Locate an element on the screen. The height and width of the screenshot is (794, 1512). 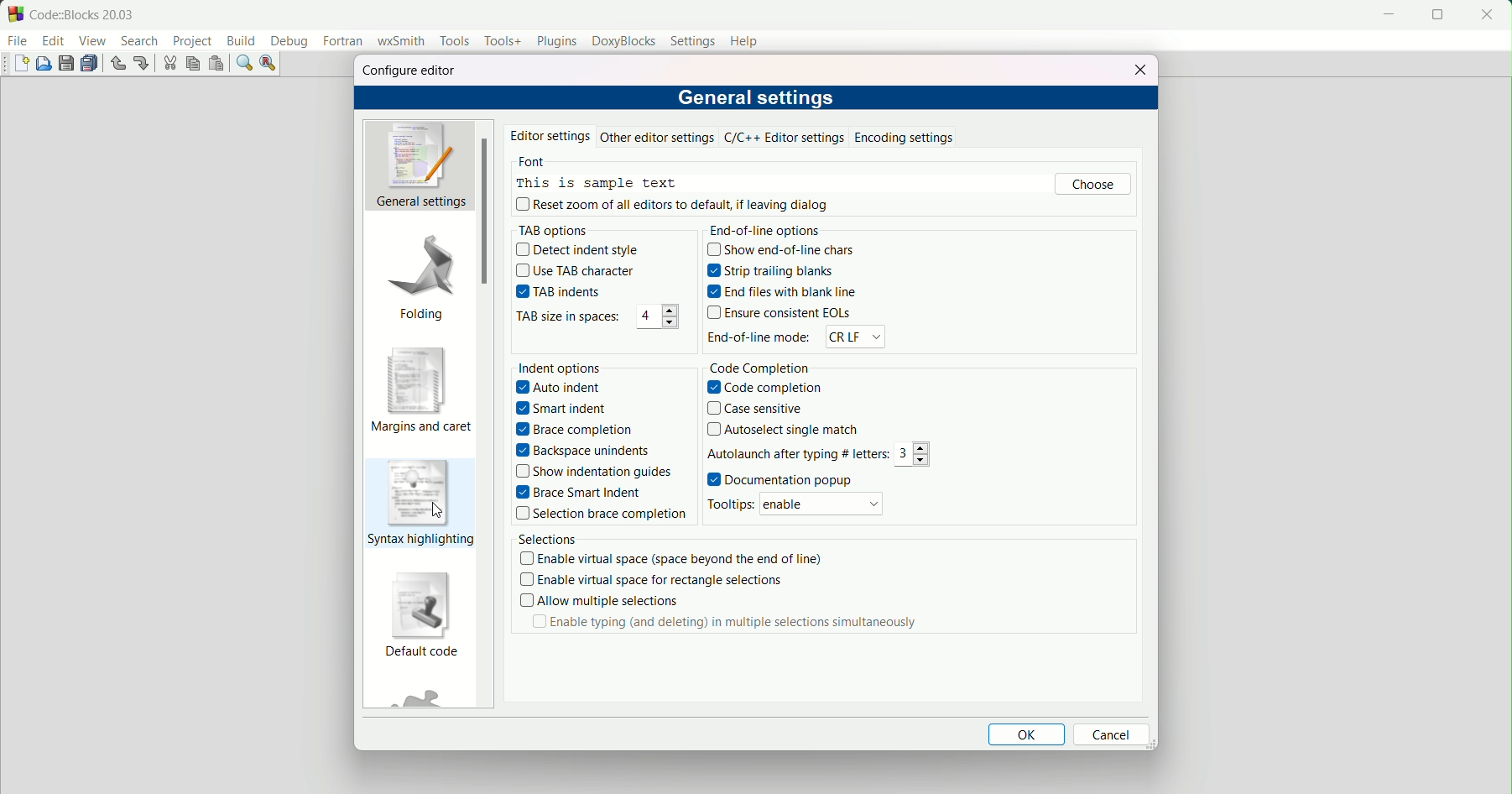
general settings is located at coordinates (758, 96).